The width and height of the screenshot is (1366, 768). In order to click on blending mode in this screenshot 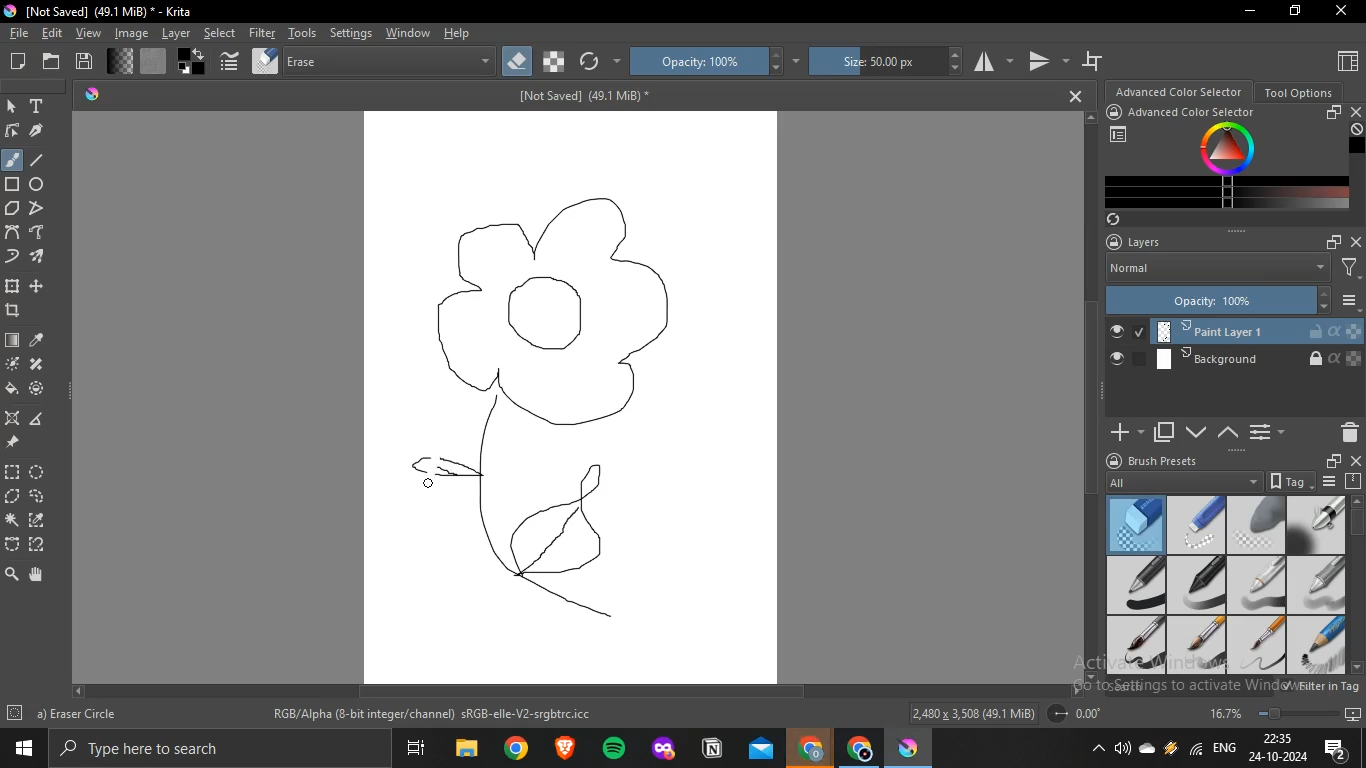, I will do `click(390, 62)`.